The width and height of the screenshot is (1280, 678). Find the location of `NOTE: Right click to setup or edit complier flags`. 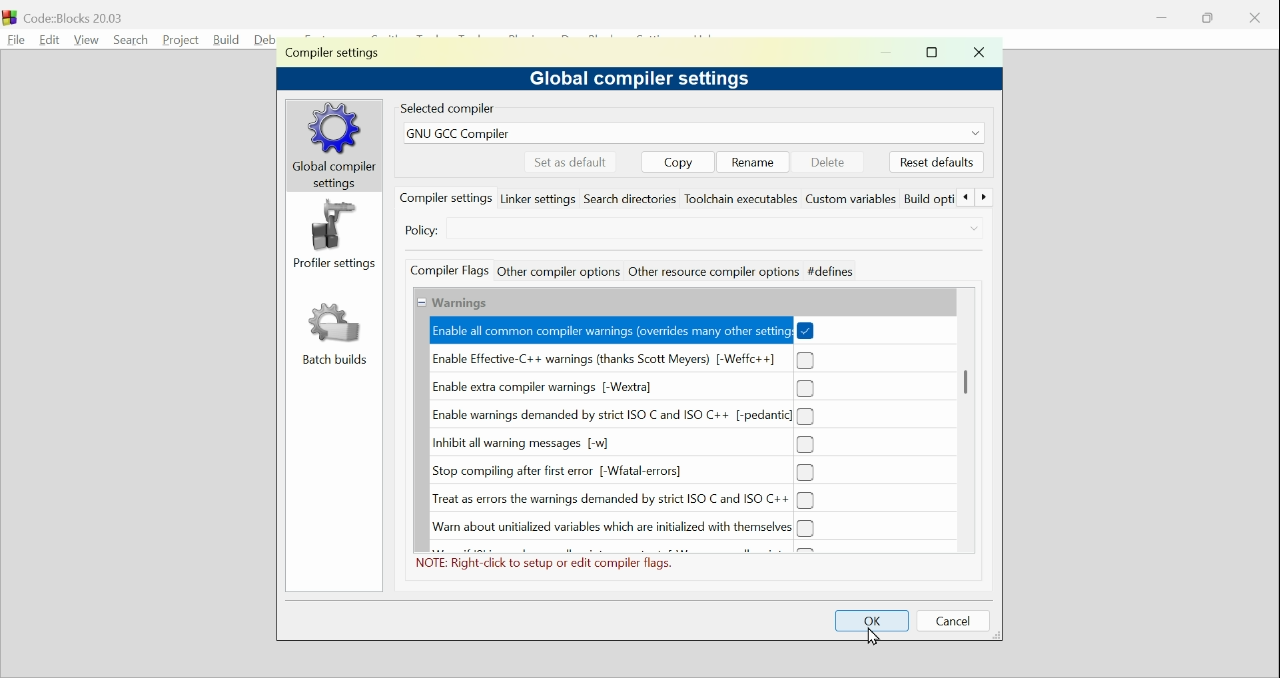

NOTE: Right click to setup or edit complier flags is located at coordinates (551, 564).